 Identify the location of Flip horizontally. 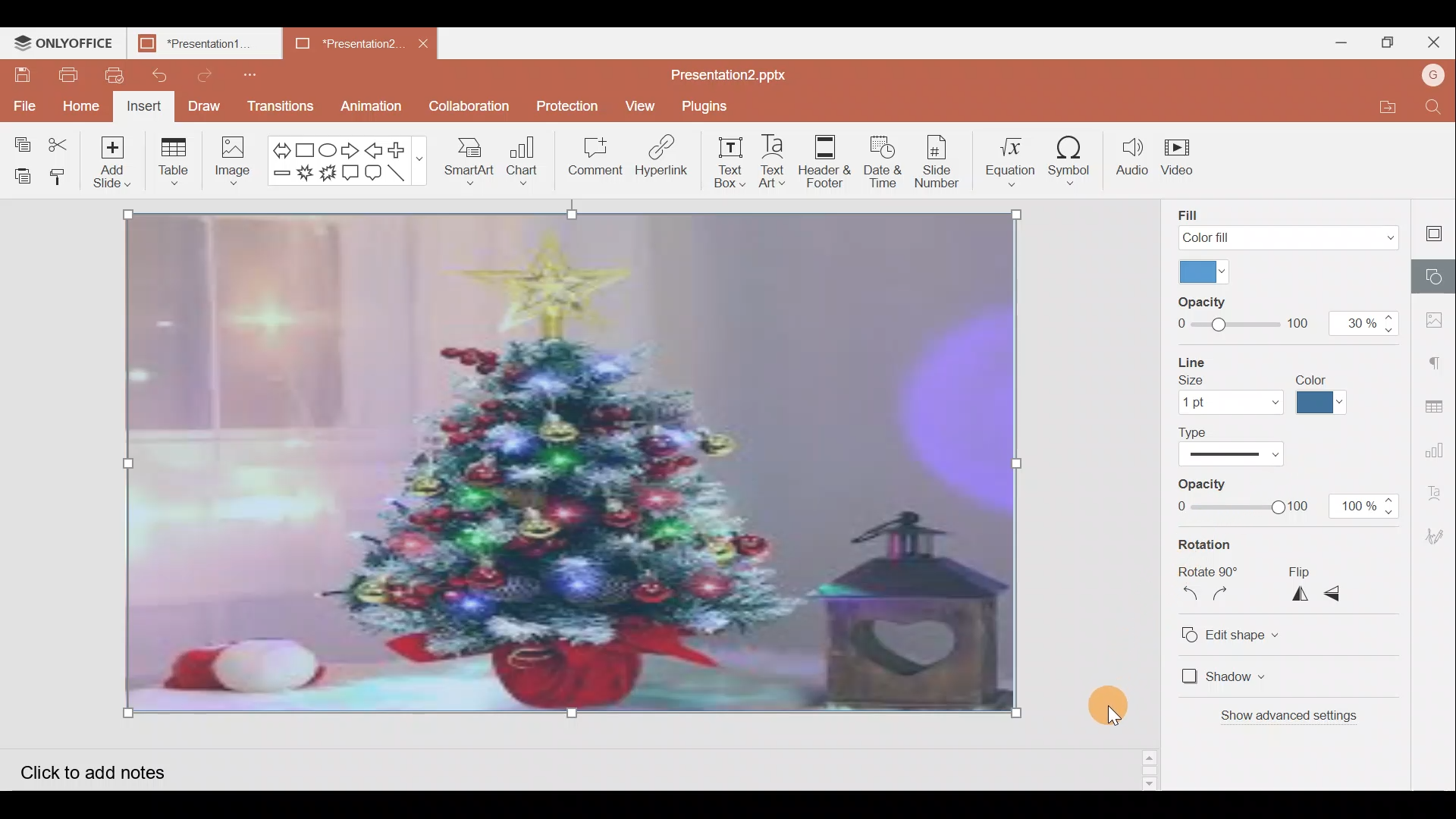
(1301, 596).